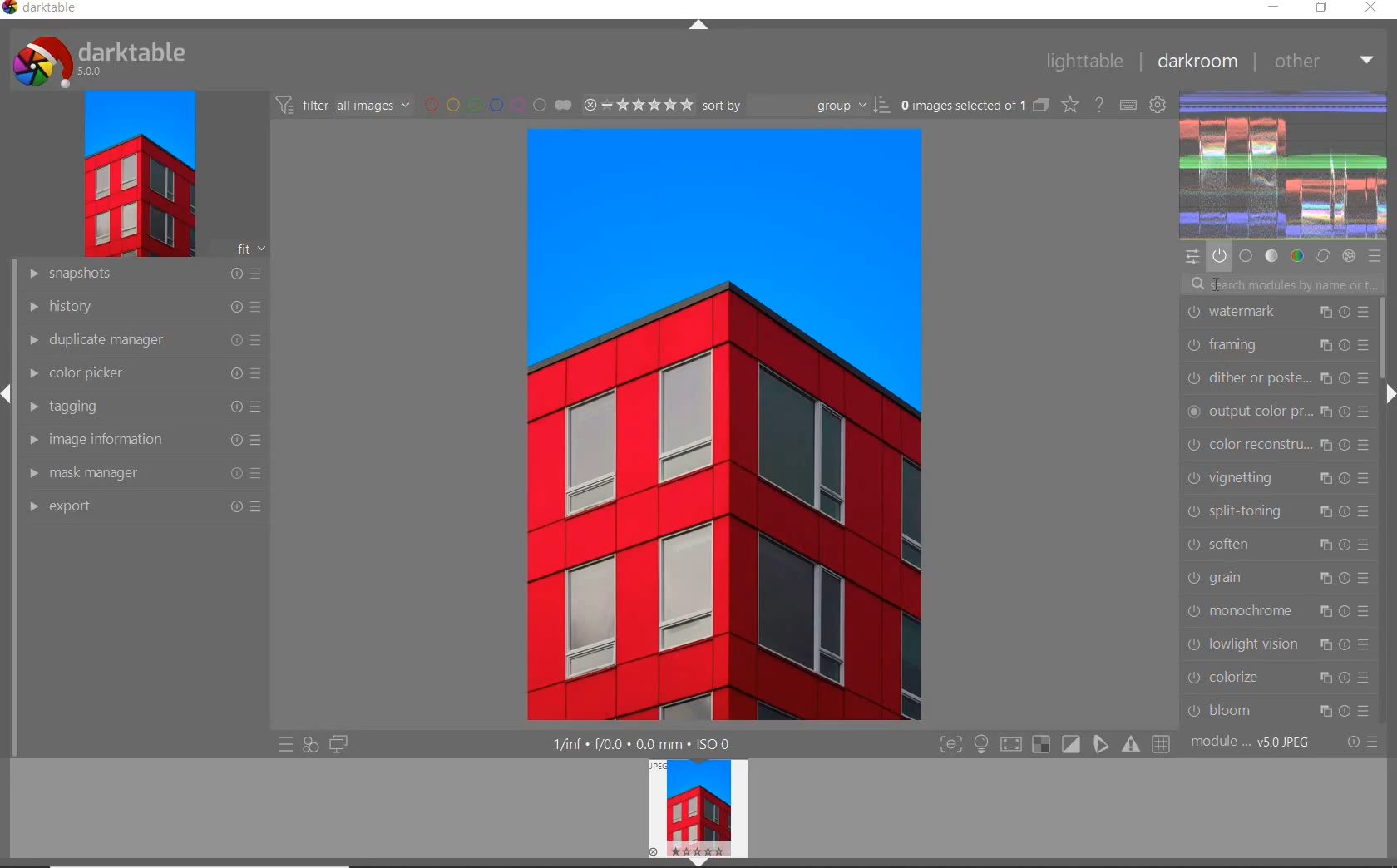 The image size is (1397, 868). I want to click on filter all images, so click(344, 105).